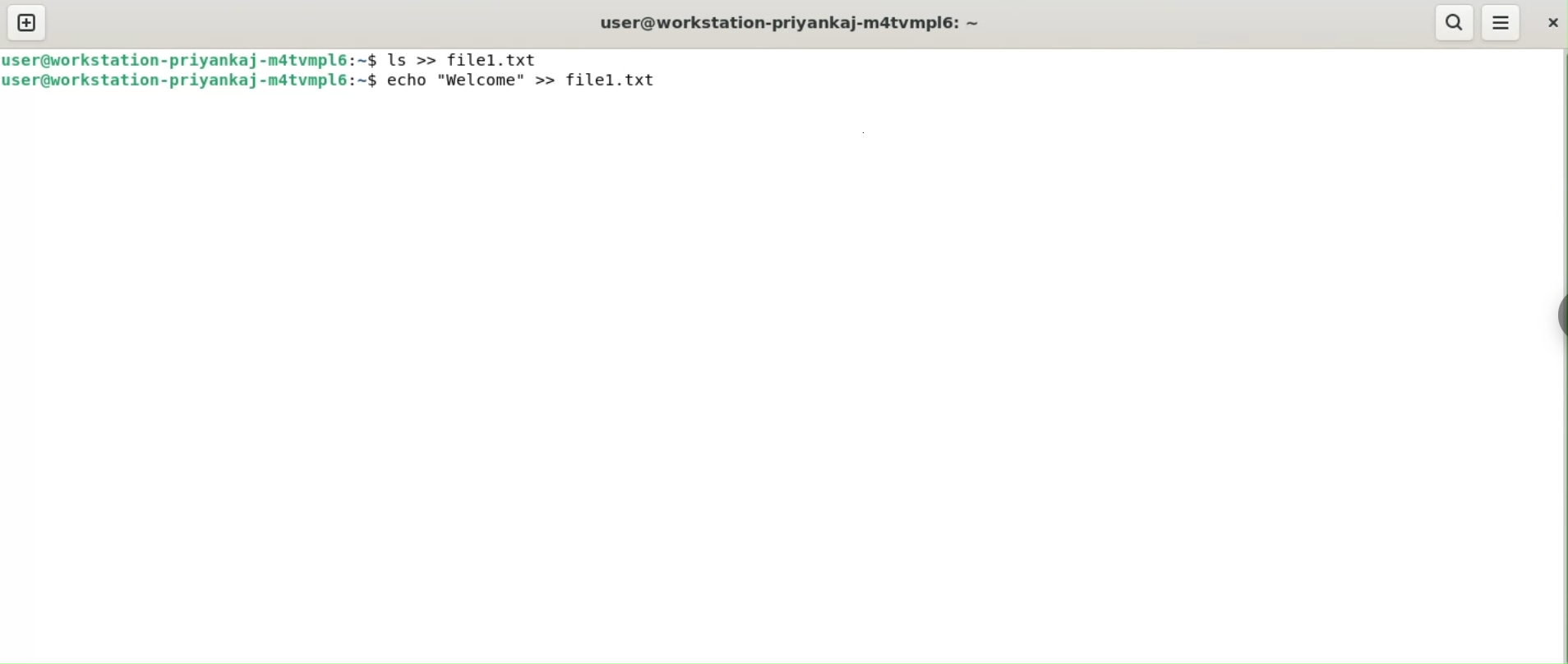  What do you see at coordinates (1453, 22) in the screenshot?
I see `search` at bounding box center [1453, 22].